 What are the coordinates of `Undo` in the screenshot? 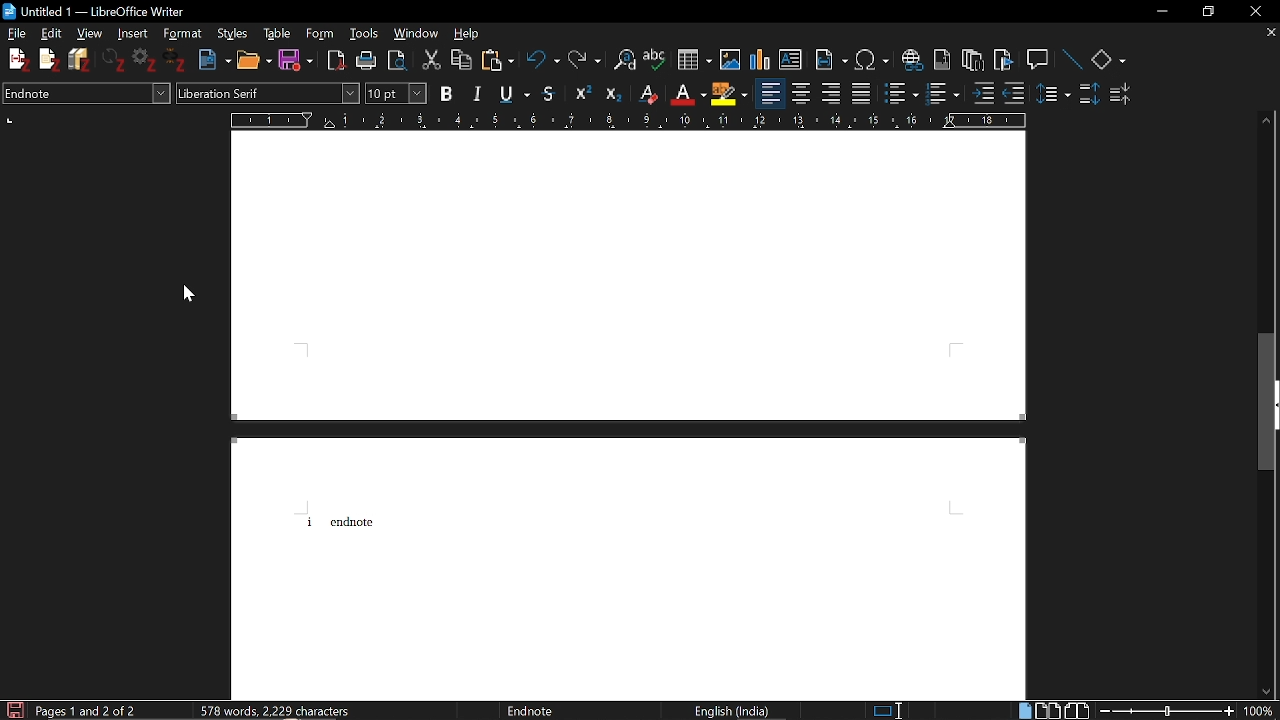 It's located at (543, 61).